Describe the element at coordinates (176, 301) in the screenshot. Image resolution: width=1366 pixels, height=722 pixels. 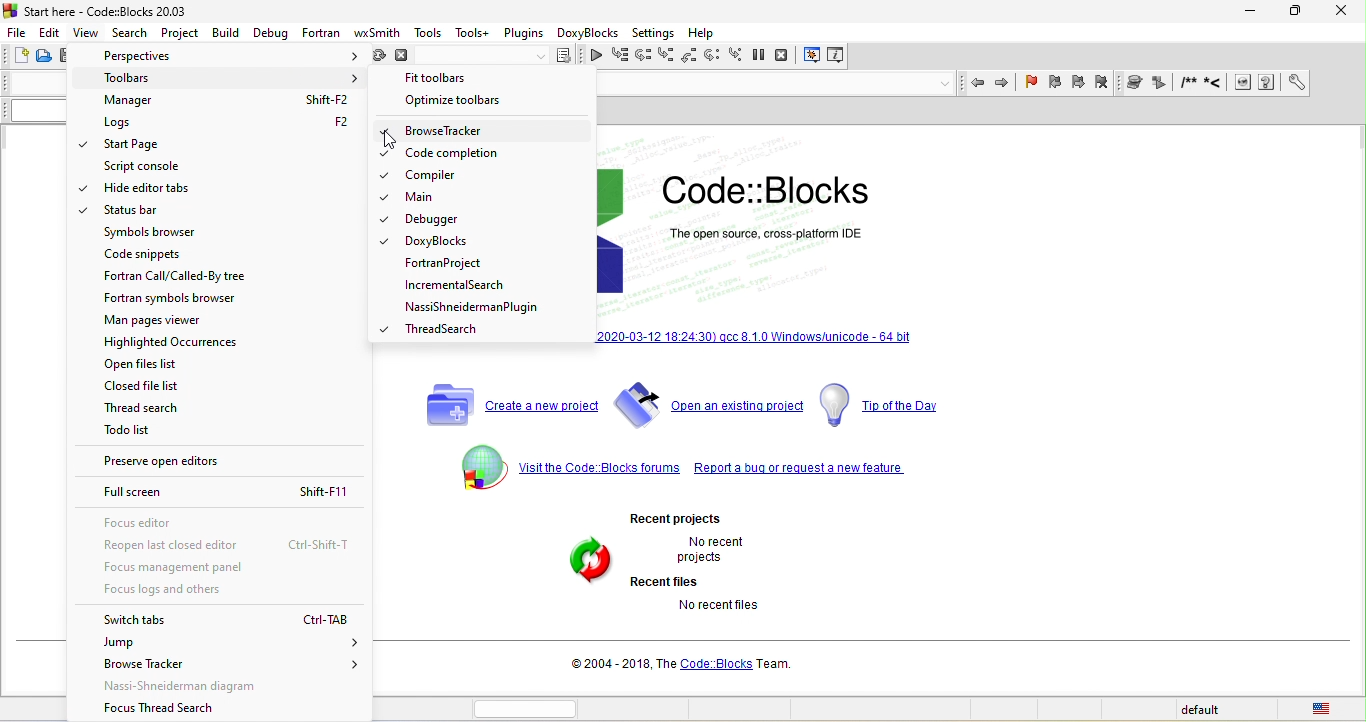
I see `fortran symbols browser` at that location.